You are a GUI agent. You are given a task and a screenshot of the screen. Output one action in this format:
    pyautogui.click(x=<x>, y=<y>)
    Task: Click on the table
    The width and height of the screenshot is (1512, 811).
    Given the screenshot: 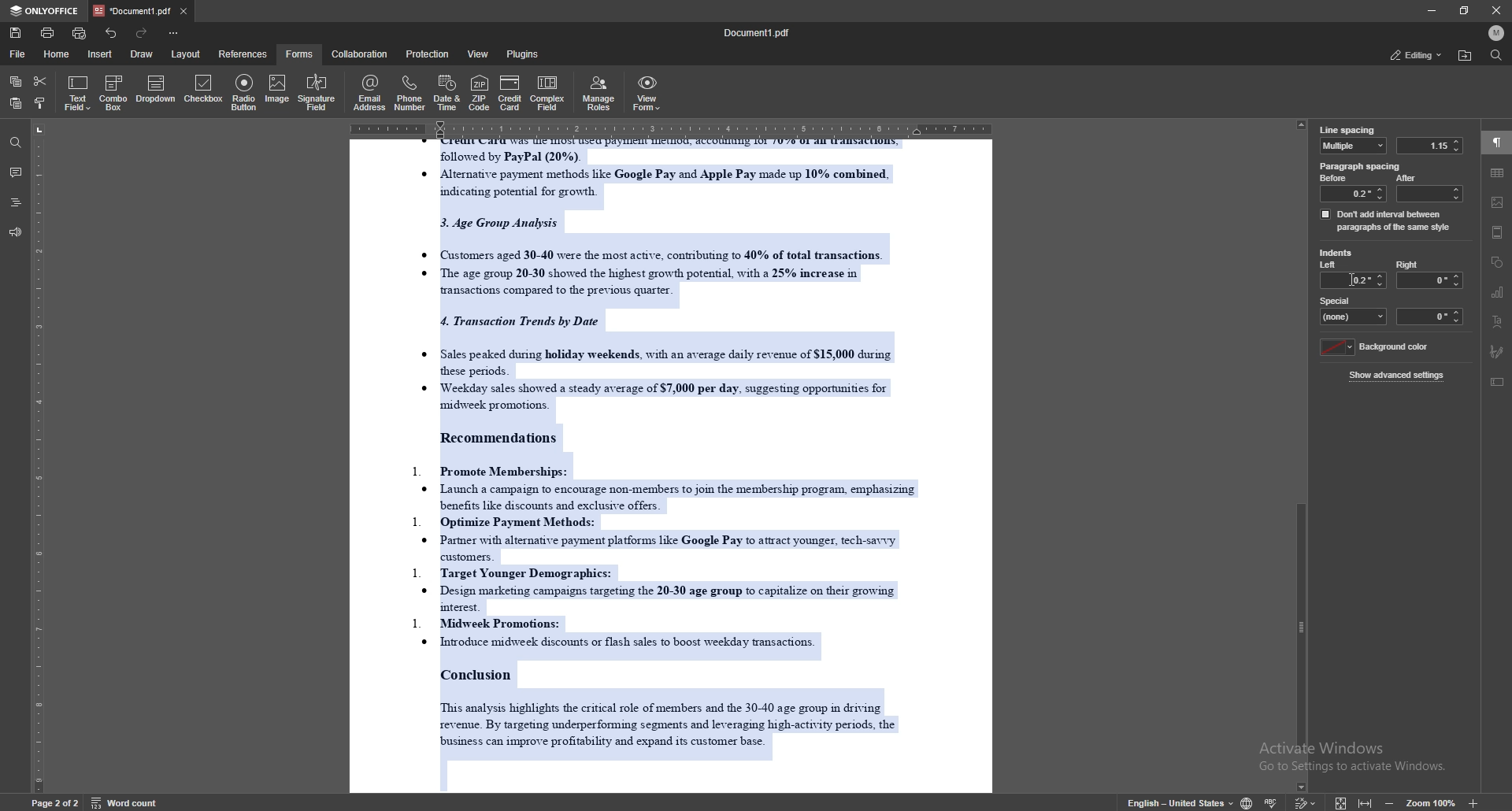 What is the action you would take?
    pyautogui.click(x=1498, y=172)
    